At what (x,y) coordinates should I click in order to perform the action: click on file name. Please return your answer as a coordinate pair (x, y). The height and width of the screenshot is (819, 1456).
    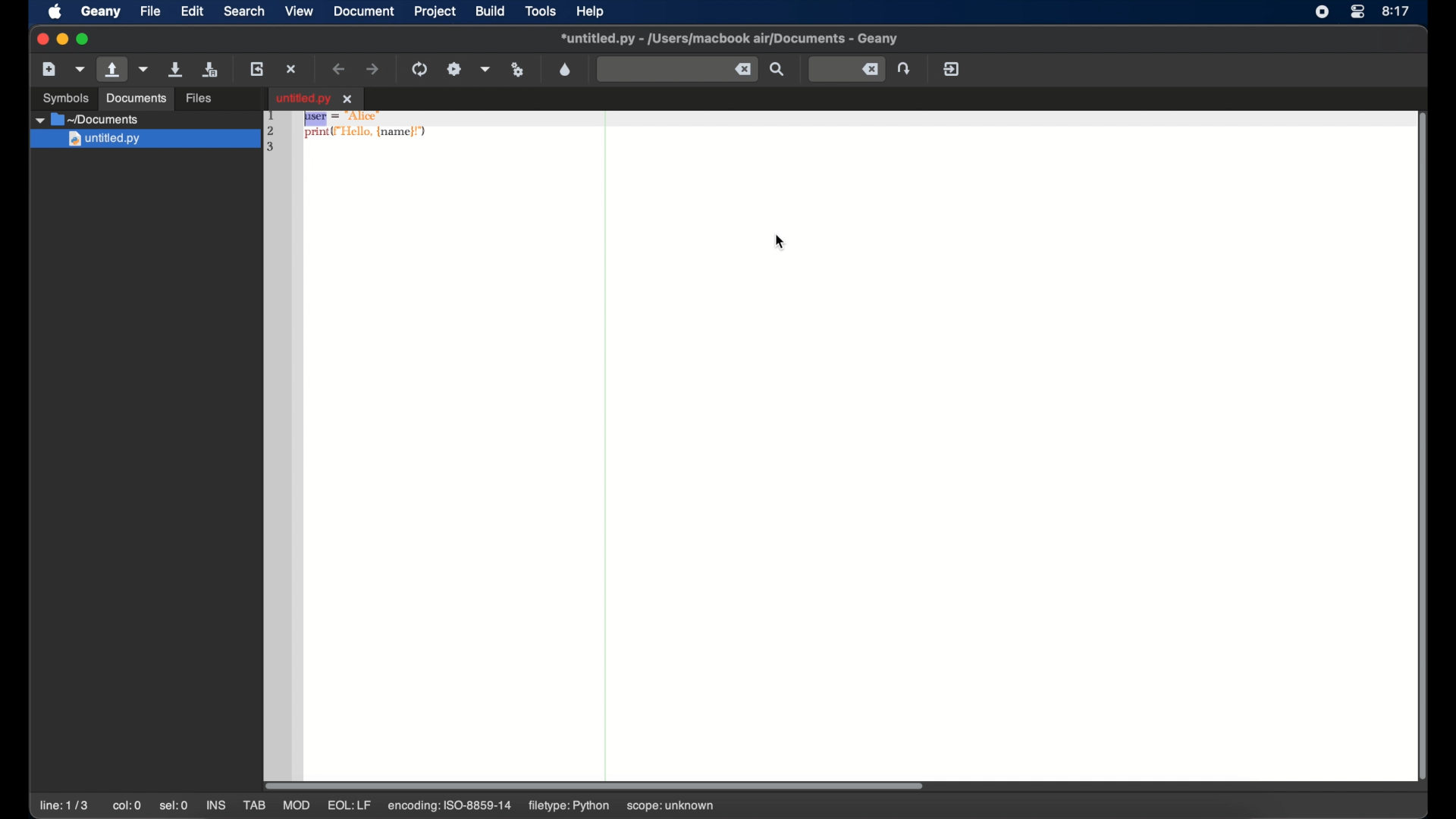
    Looking at the image, I should click on (729, 39).